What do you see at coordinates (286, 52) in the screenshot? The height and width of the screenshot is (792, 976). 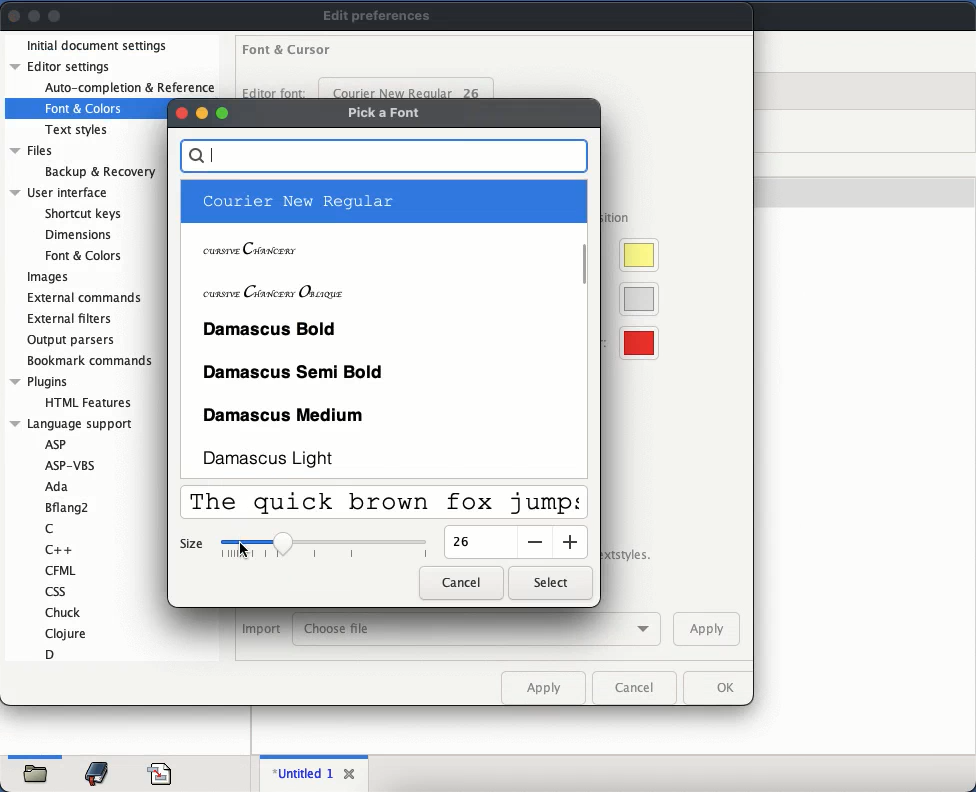 I see `font and cursor` at bounding box center [286, 52].